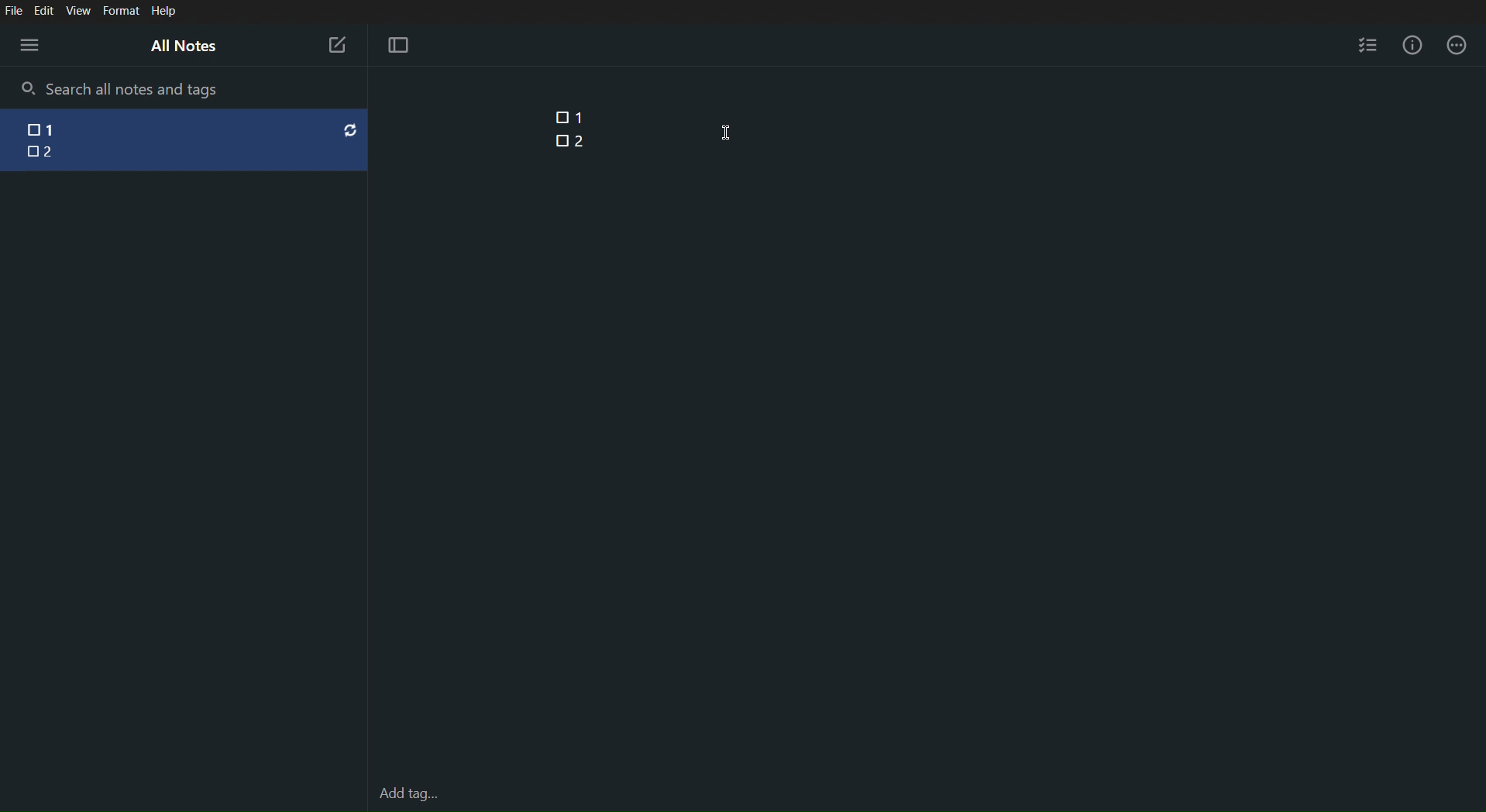  I want to click on Cursor, so click(728, 132).